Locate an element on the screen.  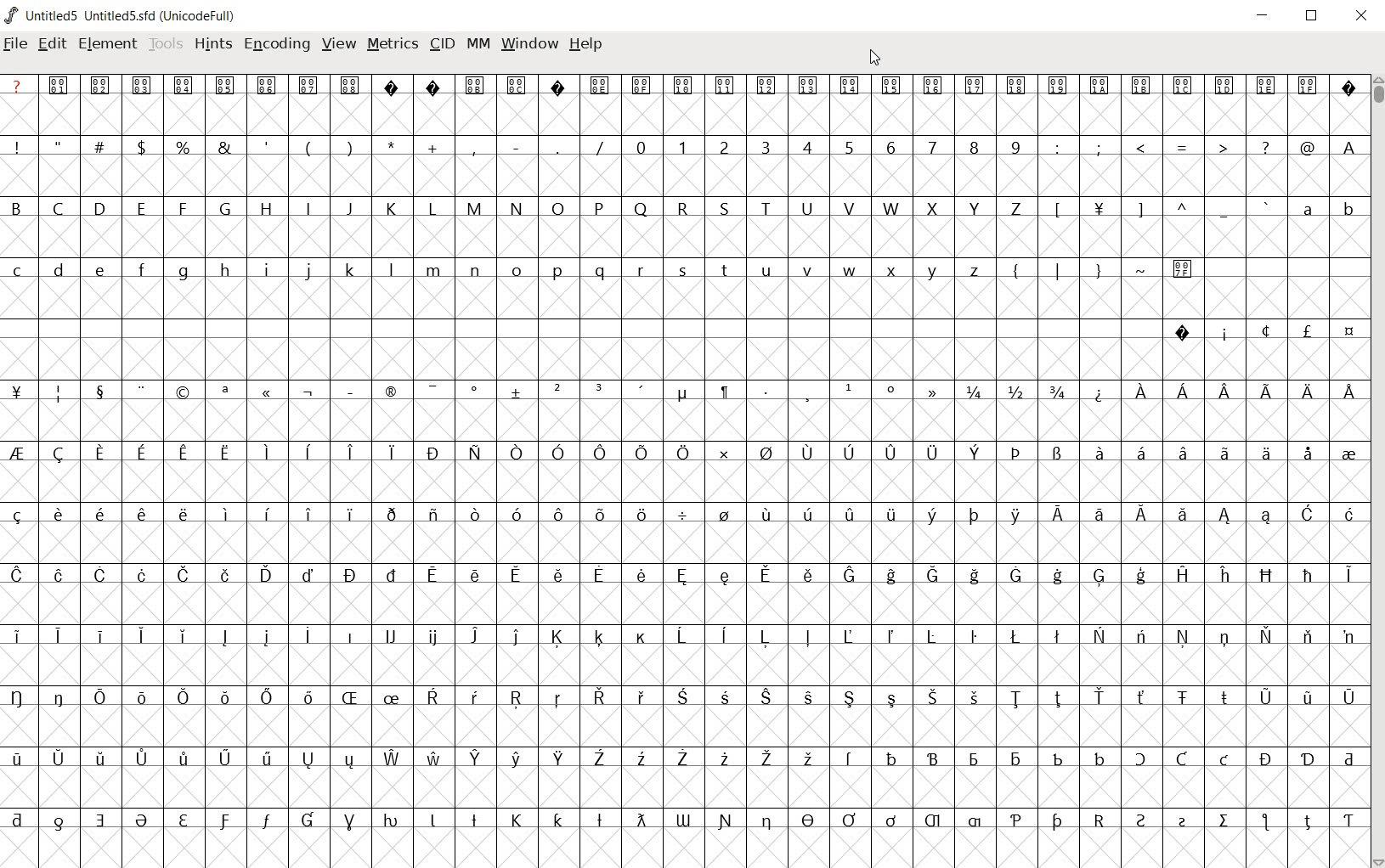
Symbol is located at coordinates (725, 820).